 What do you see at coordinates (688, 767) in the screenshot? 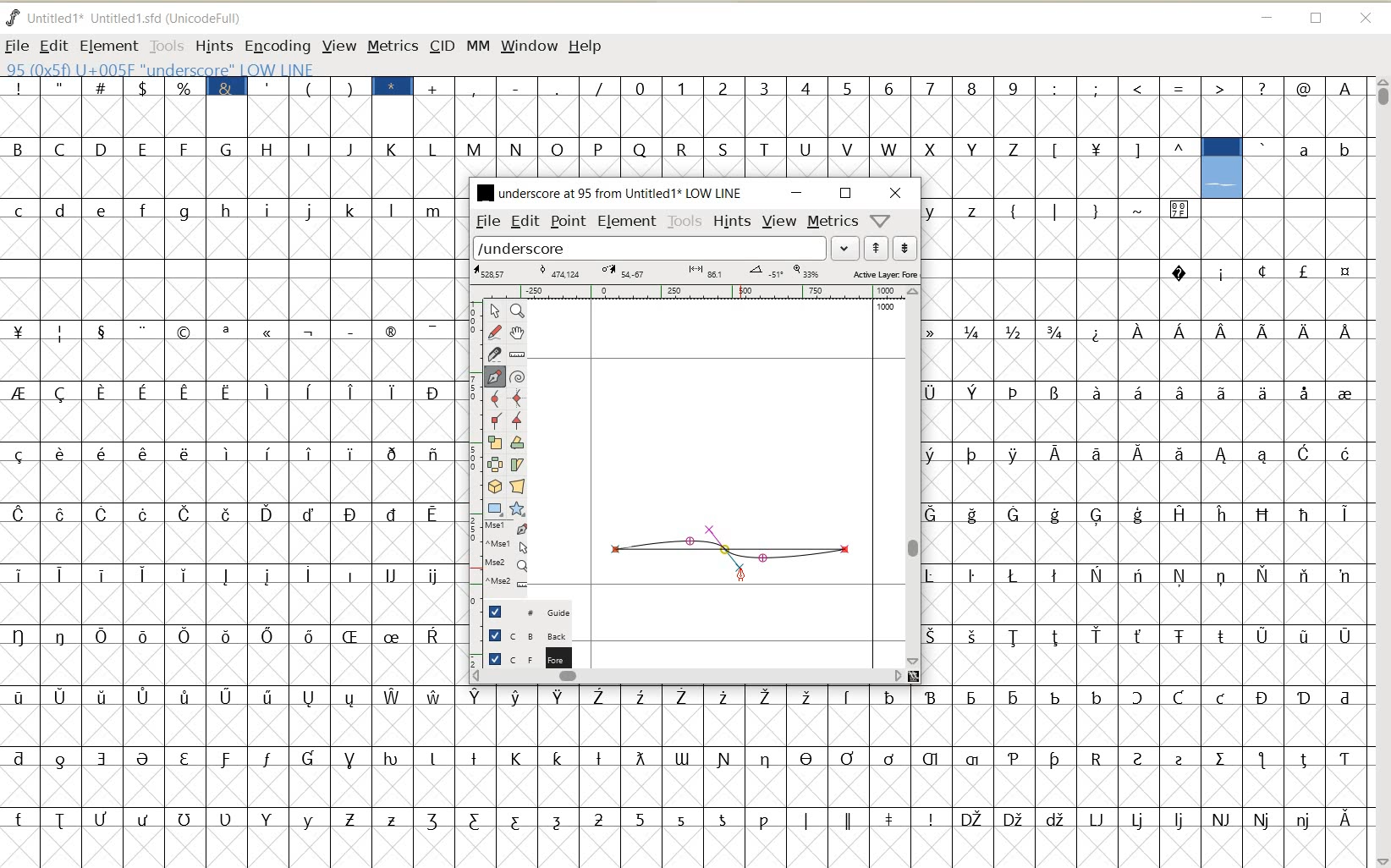
I see `GLYPHY CHARACTERS & NUMBERS` at bounding box center [688, 767].